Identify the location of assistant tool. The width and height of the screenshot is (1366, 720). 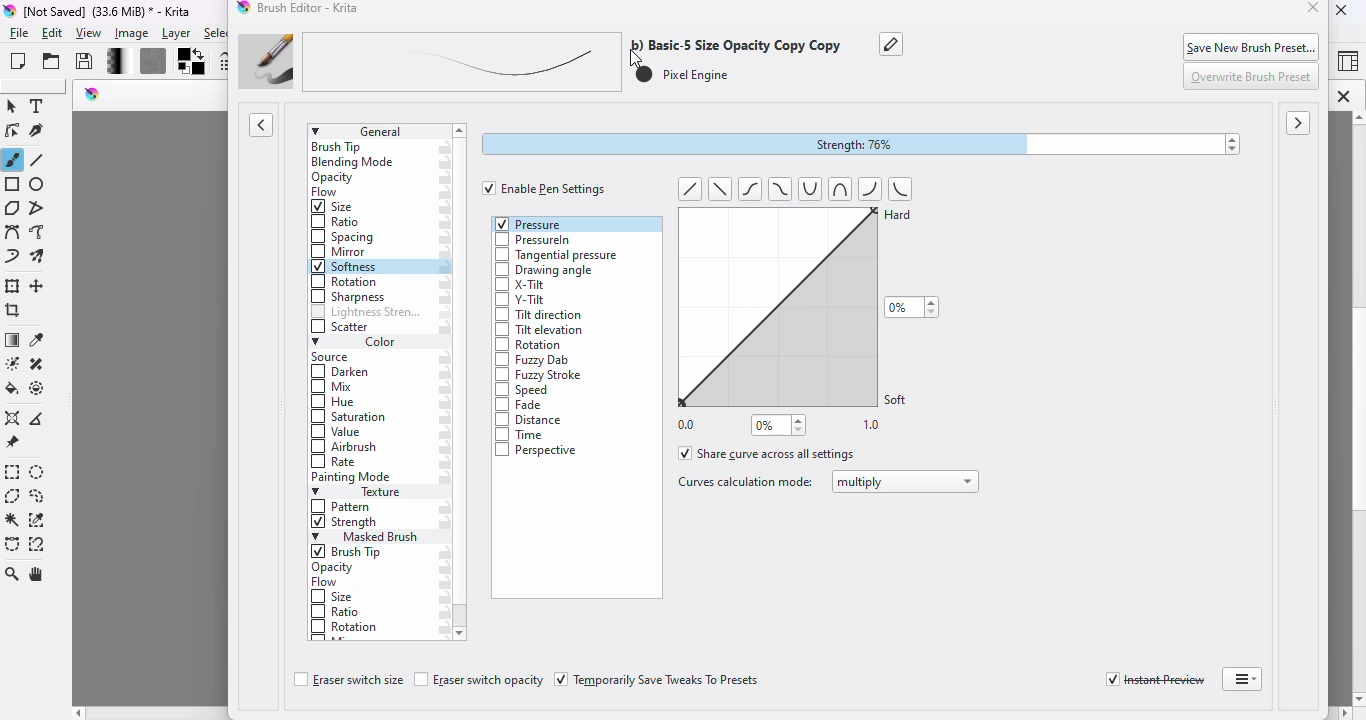
(12, 418).